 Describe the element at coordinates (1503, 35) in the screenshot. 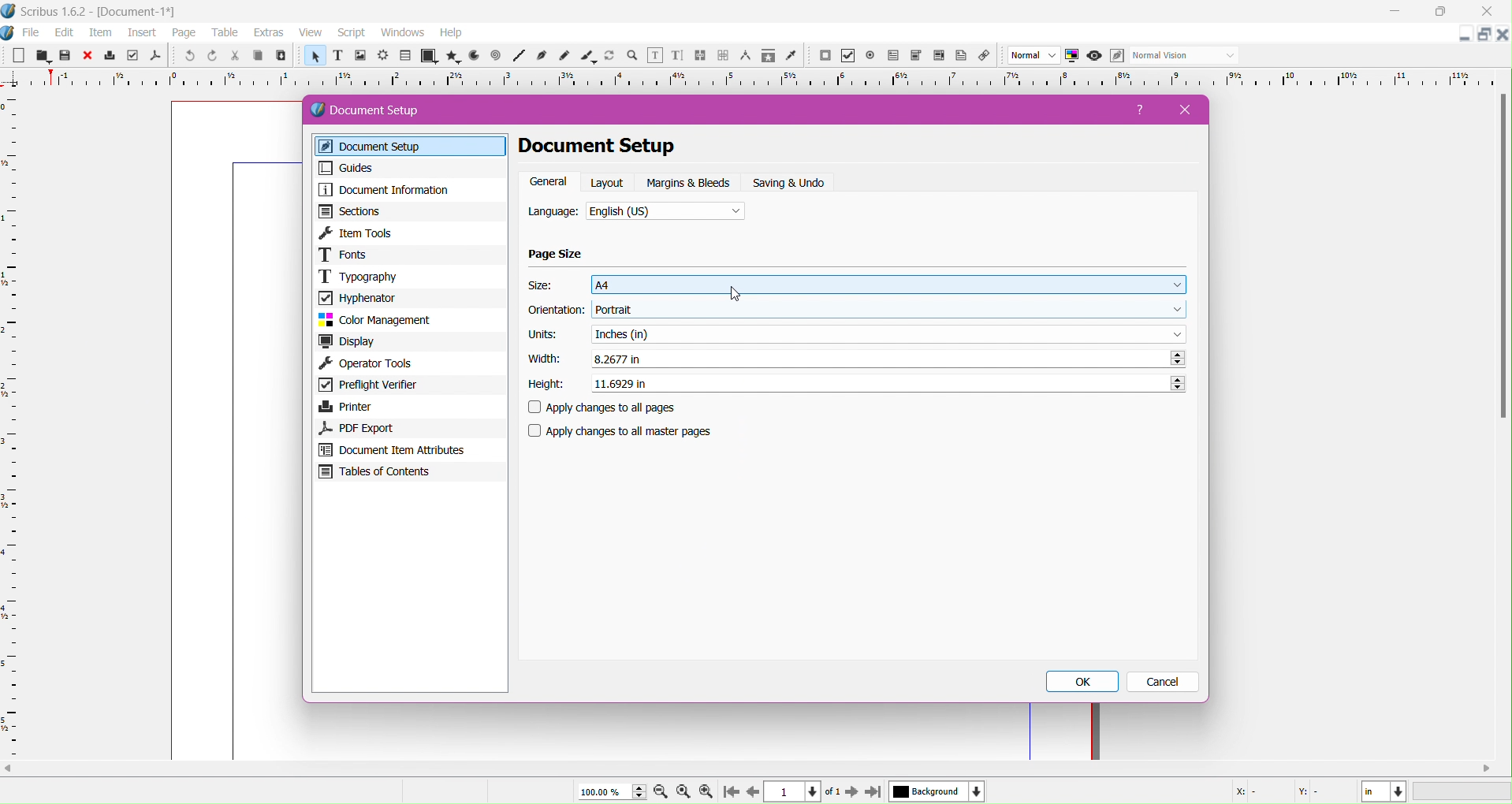

I see `close document` at that location.